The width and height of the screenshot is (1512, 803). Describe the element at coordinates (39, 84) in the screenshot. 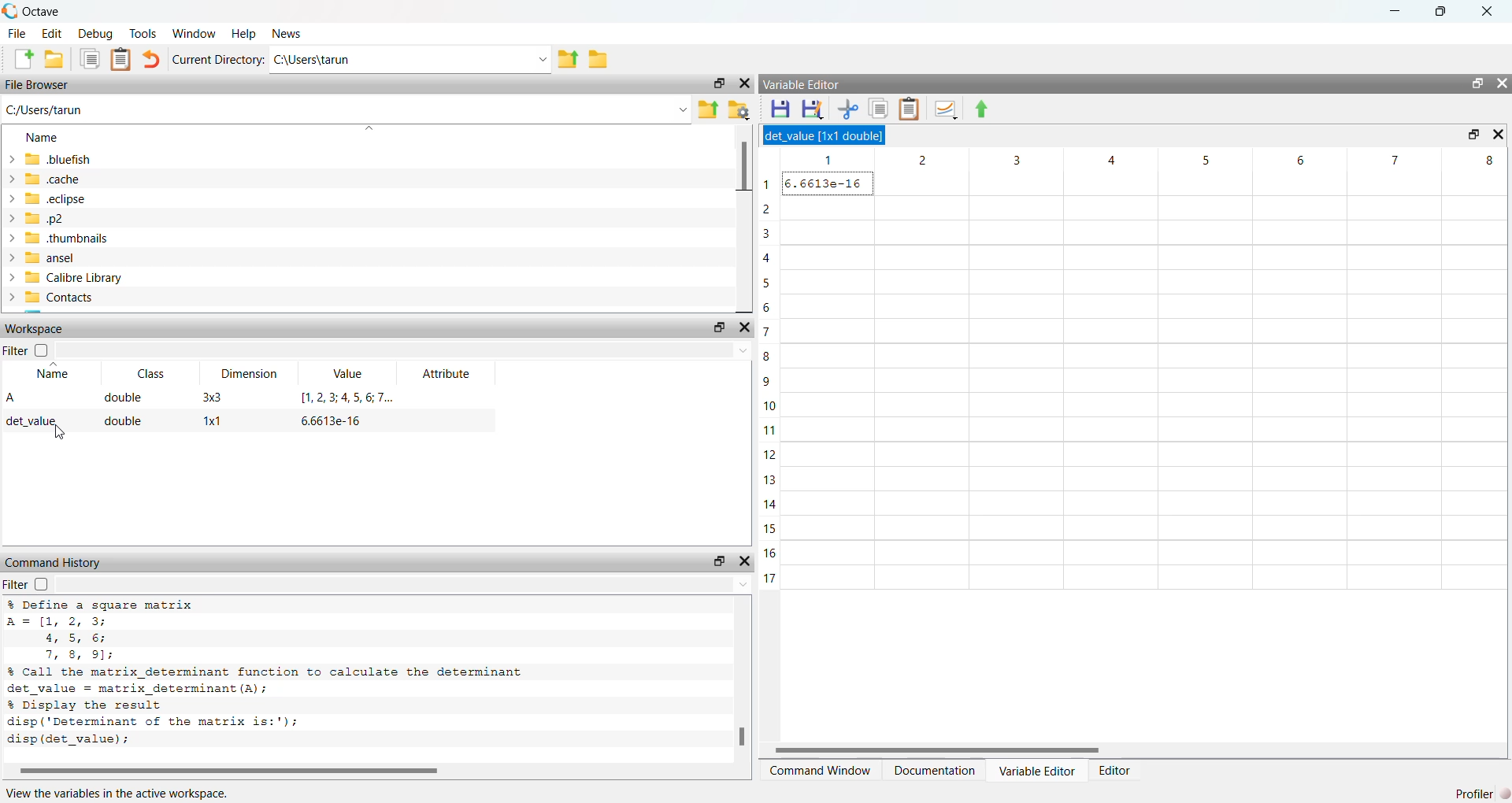

I see `file browser` at that location.